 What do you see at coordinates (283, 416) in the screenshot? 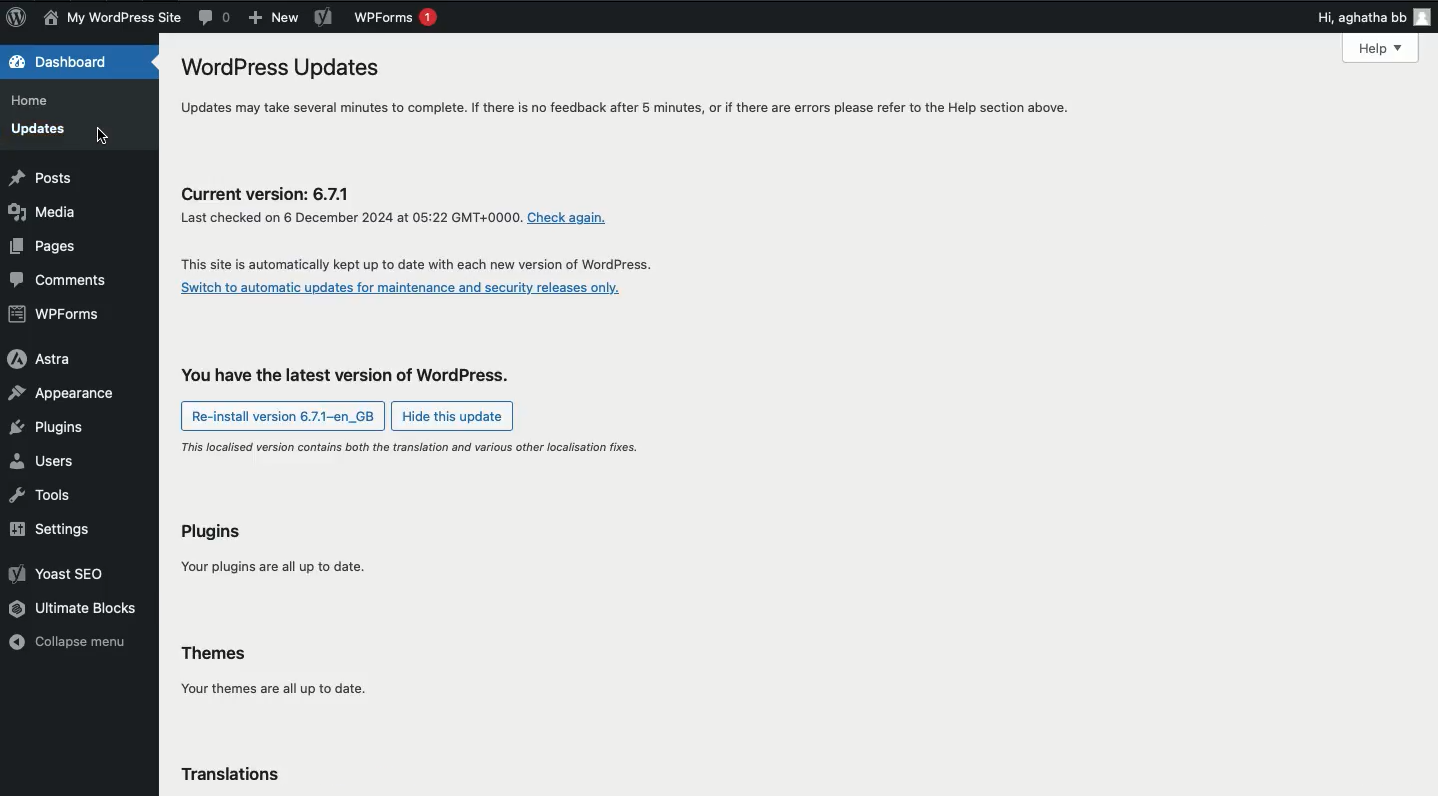
I see `Re-install version` at bounding box center [283, 416].